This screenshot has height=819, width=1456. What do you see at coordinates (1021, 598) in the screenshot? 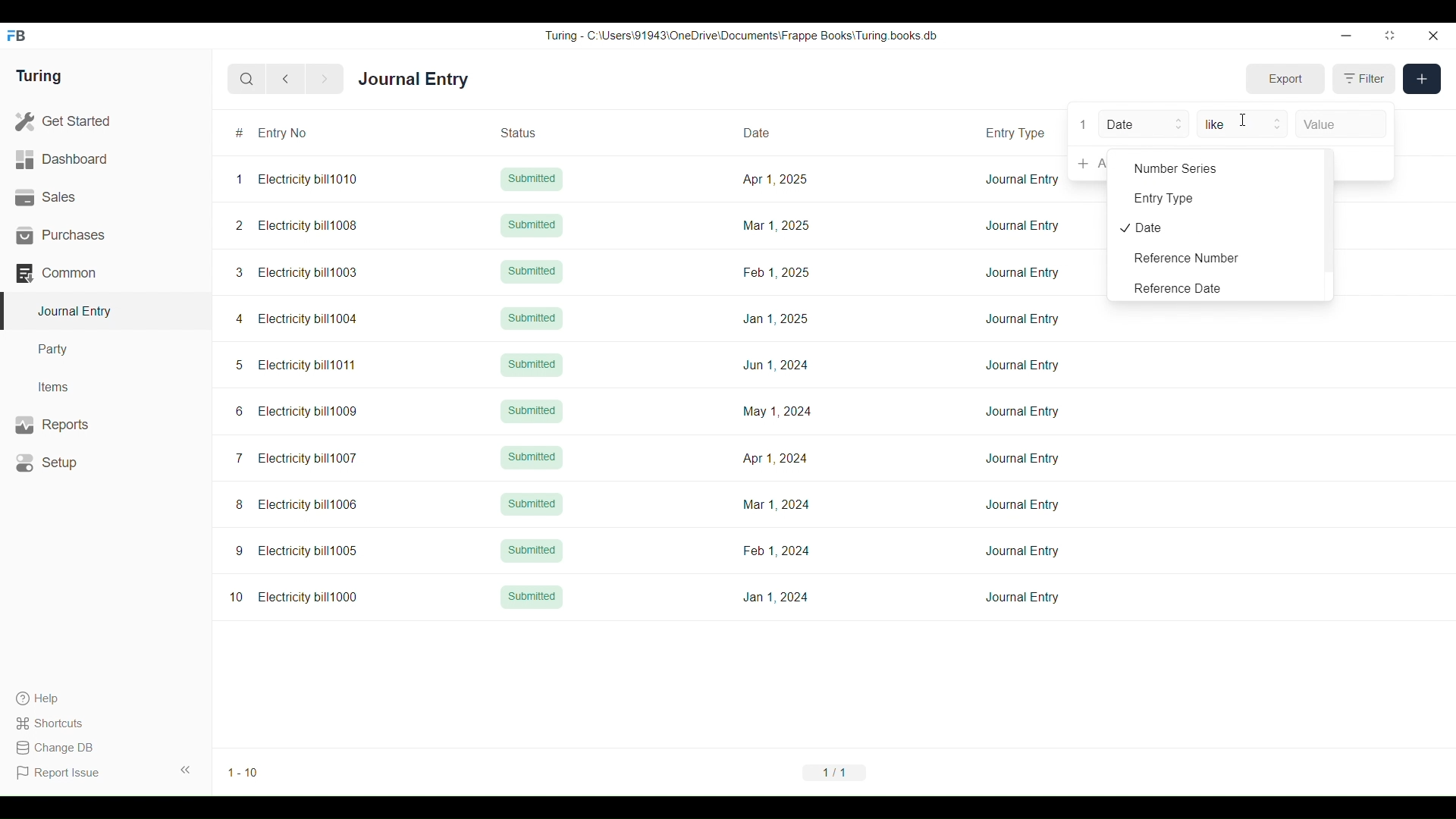
I see `Journal Entry` at bounding box center [1021, 598].